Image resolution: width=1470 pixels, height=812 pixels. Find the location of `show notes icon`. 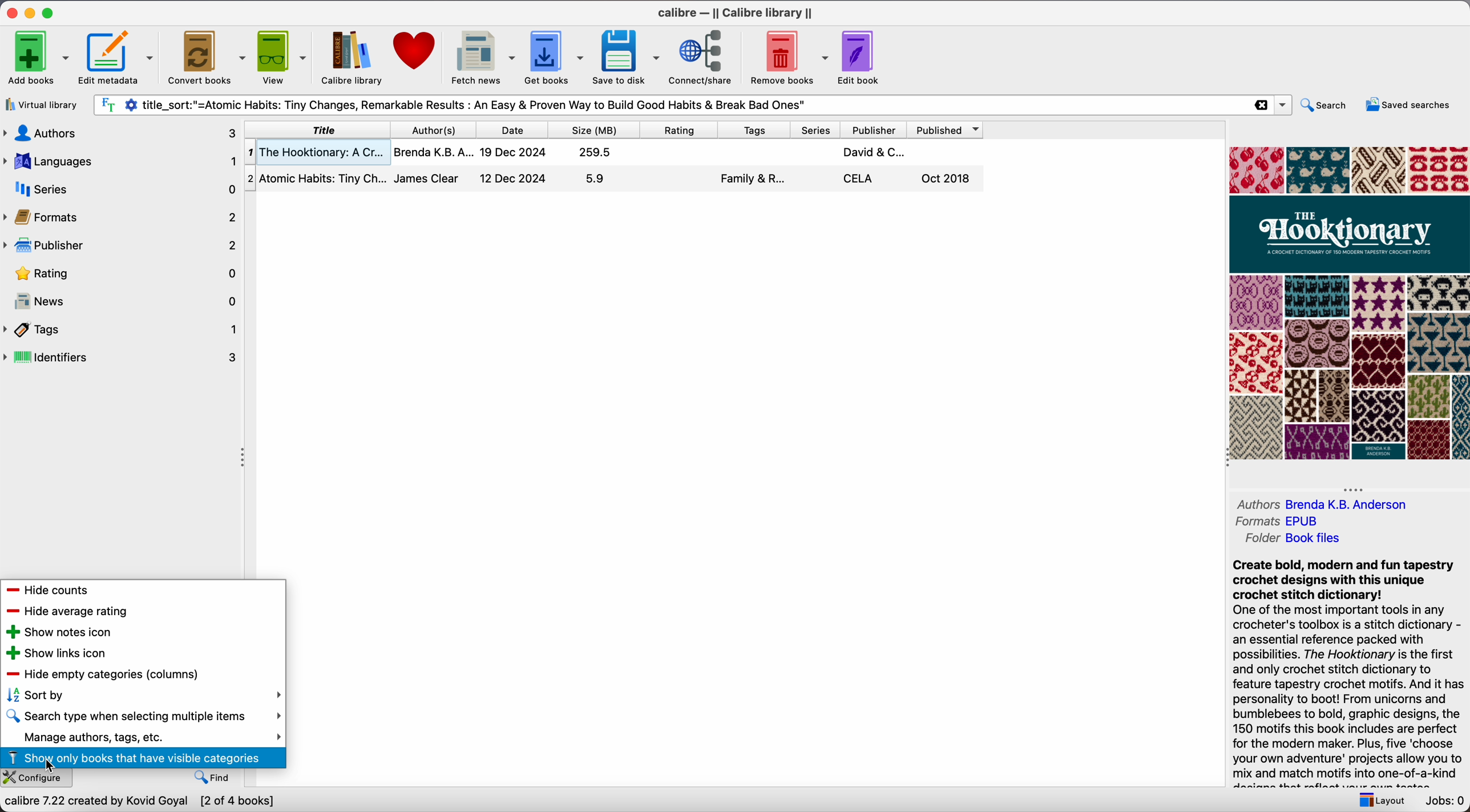

show notes icon is located at coordinates (56, 632).